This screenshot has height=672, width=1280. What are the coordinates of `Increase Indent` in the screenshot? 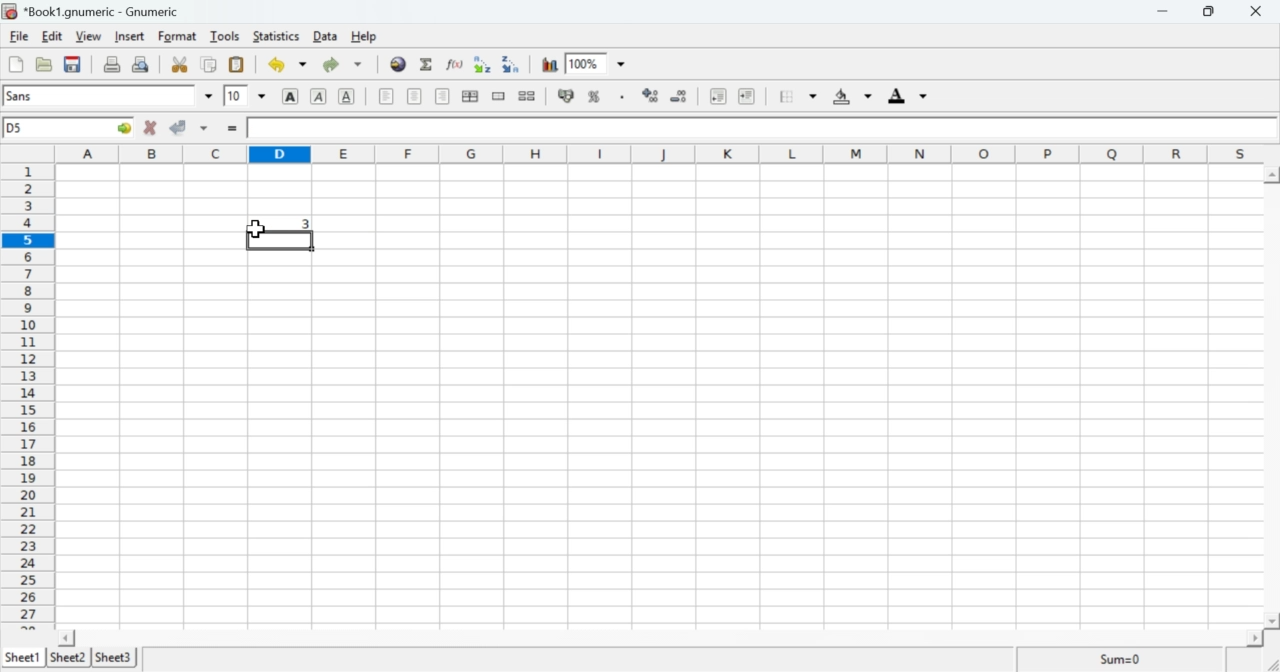 It's located at (747, 95).